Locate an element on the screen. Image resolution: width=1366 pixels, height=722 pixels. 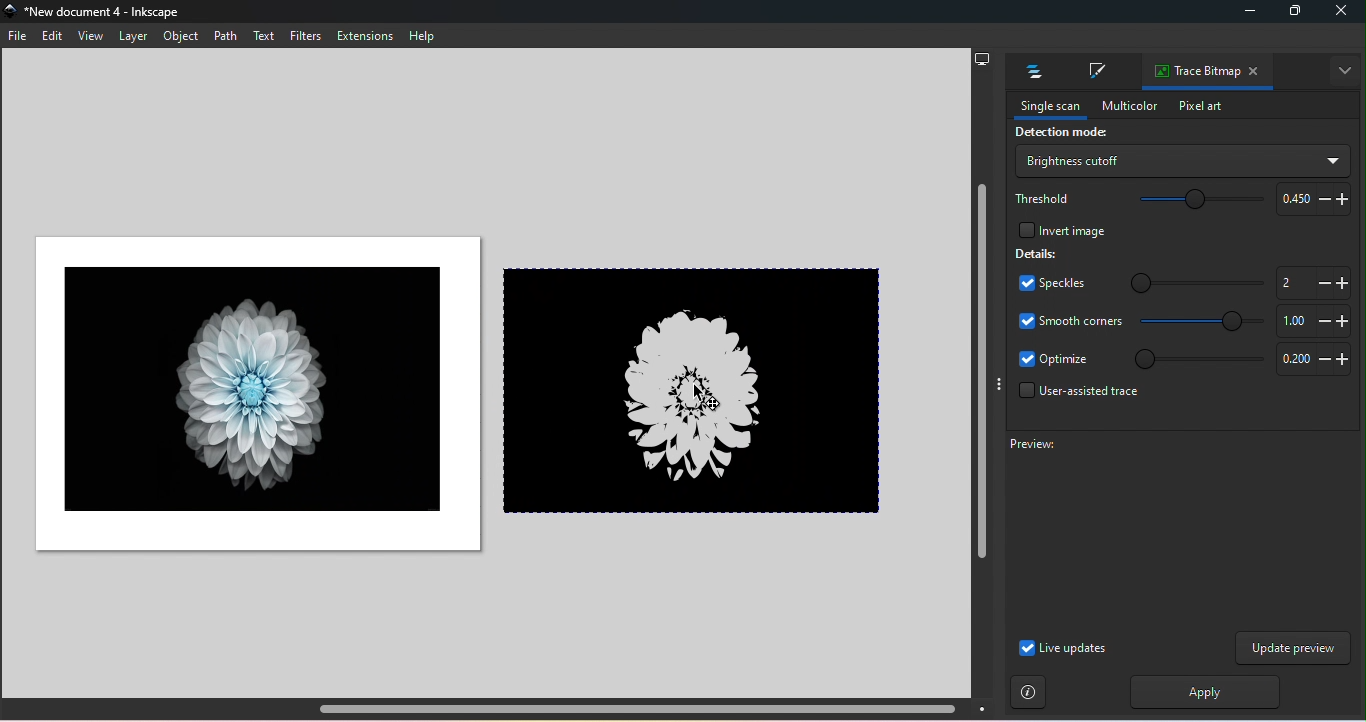
Extensions is located at coordinates (367, 36).